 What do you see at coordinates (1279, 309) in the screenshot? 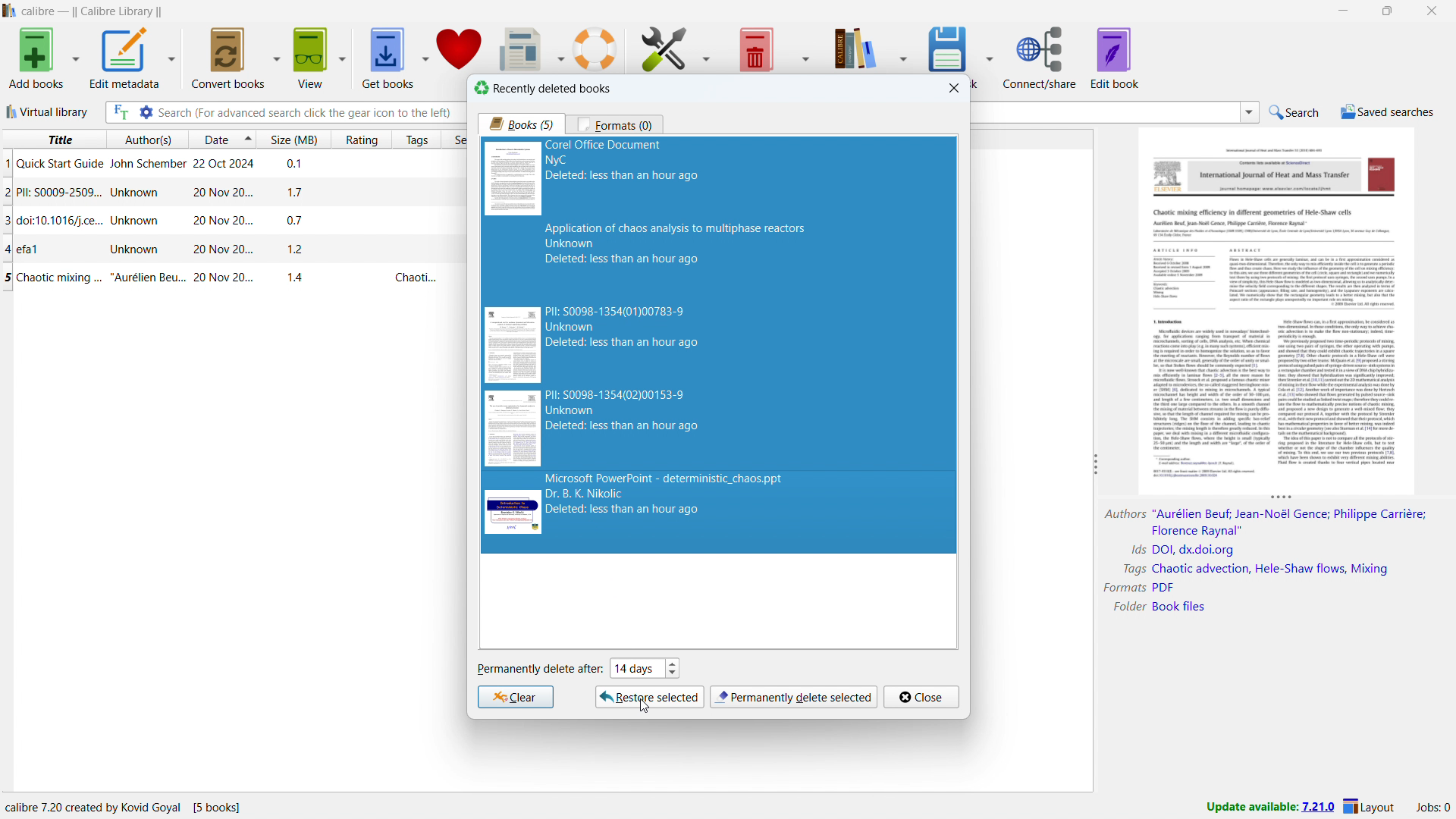
I see `double click to open book details window` at bounding box center [1279, 309].